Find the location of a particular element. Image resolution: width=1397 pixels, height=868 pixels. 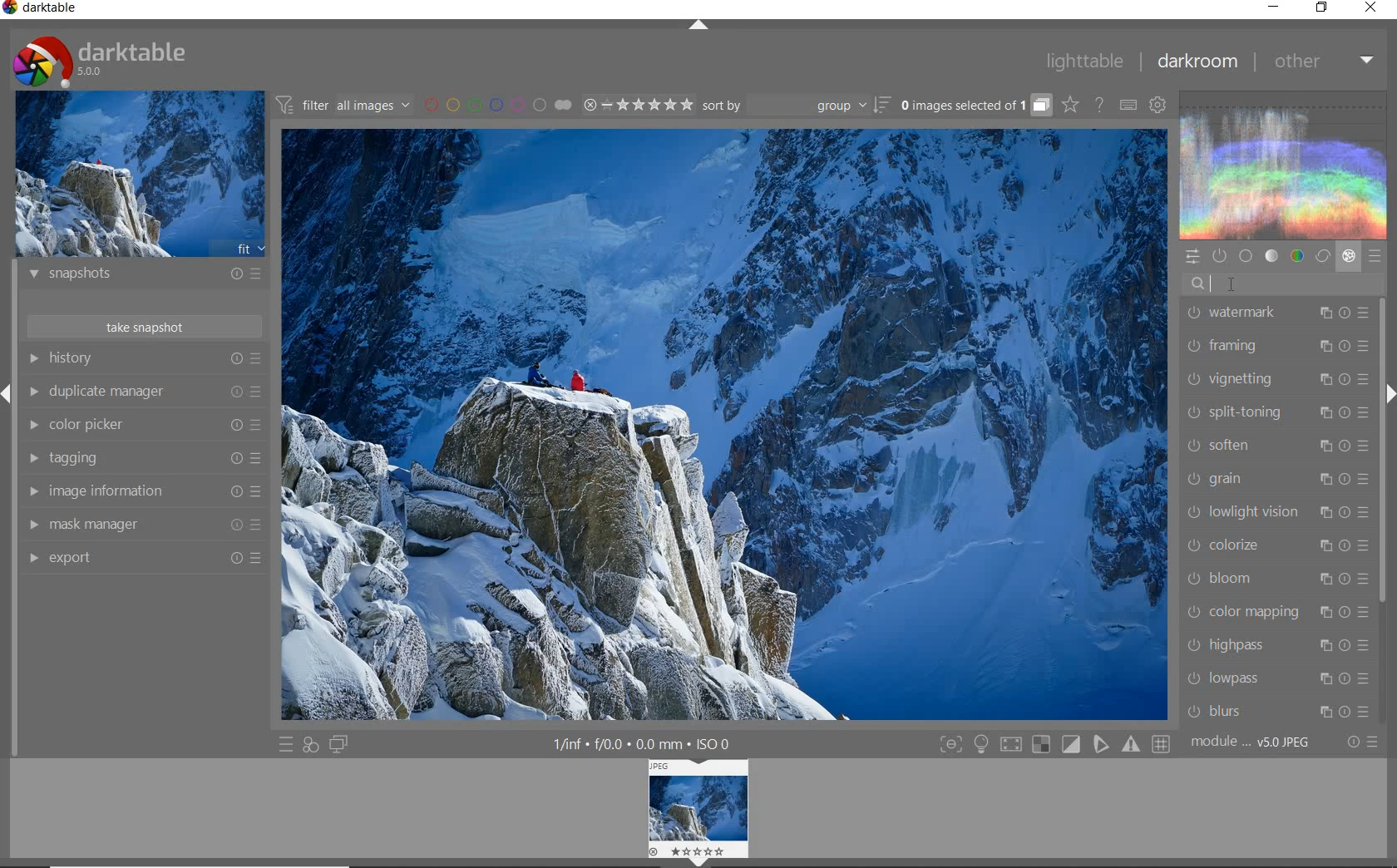

restore is located at coordinates (1324, 9).